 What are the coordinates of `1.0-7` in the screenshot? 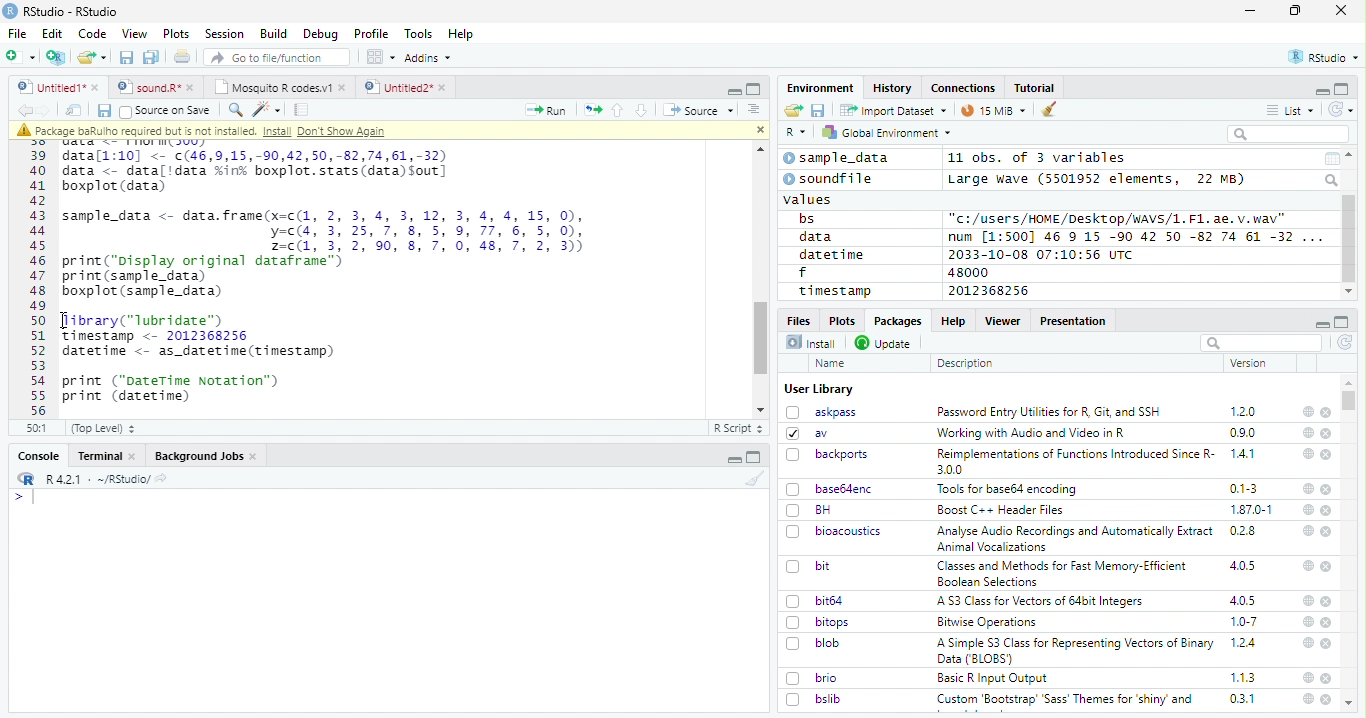 It's located at (1245, 622).